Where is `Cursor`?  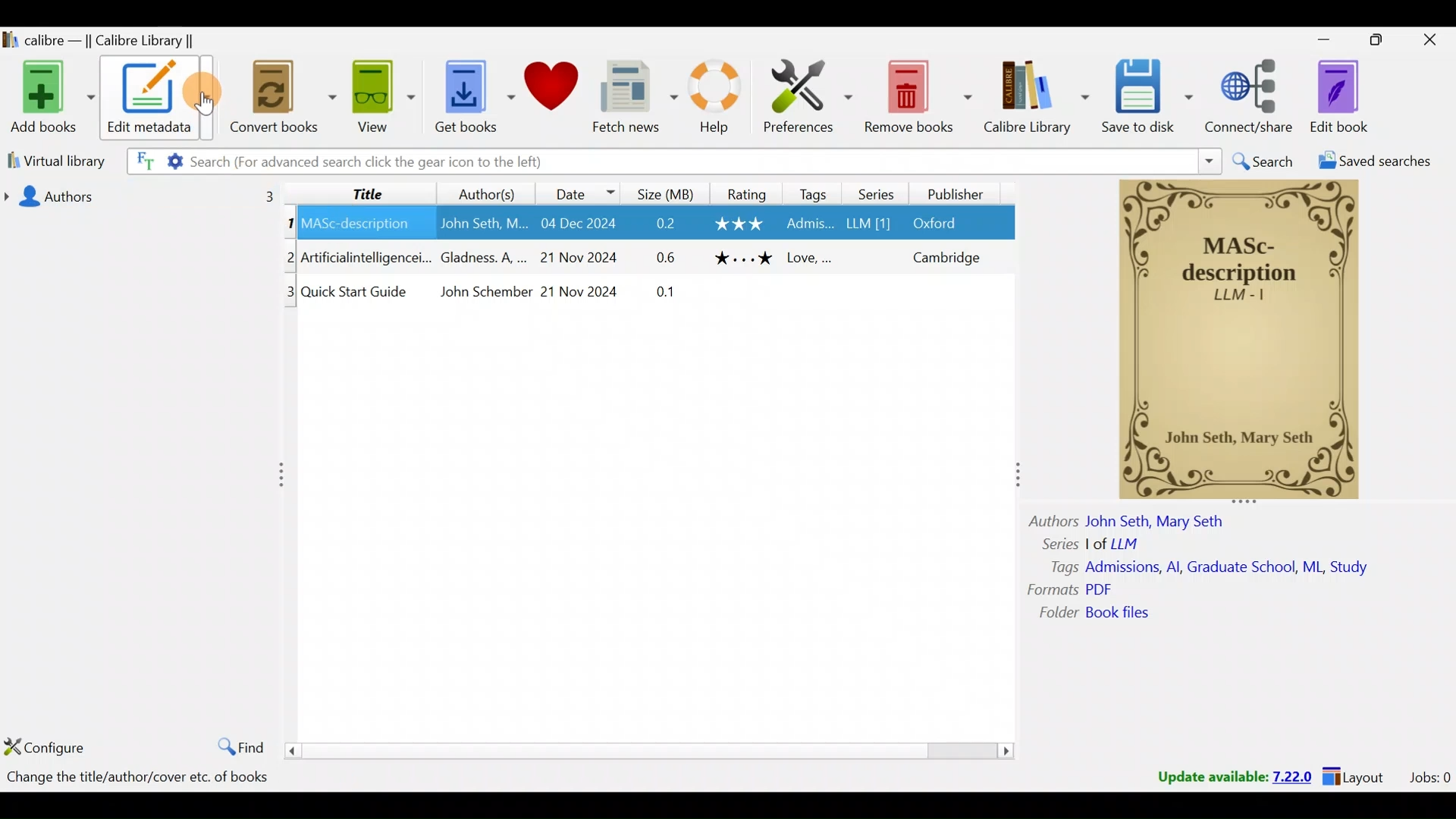 Cursor is located at coordinates (206, 107).